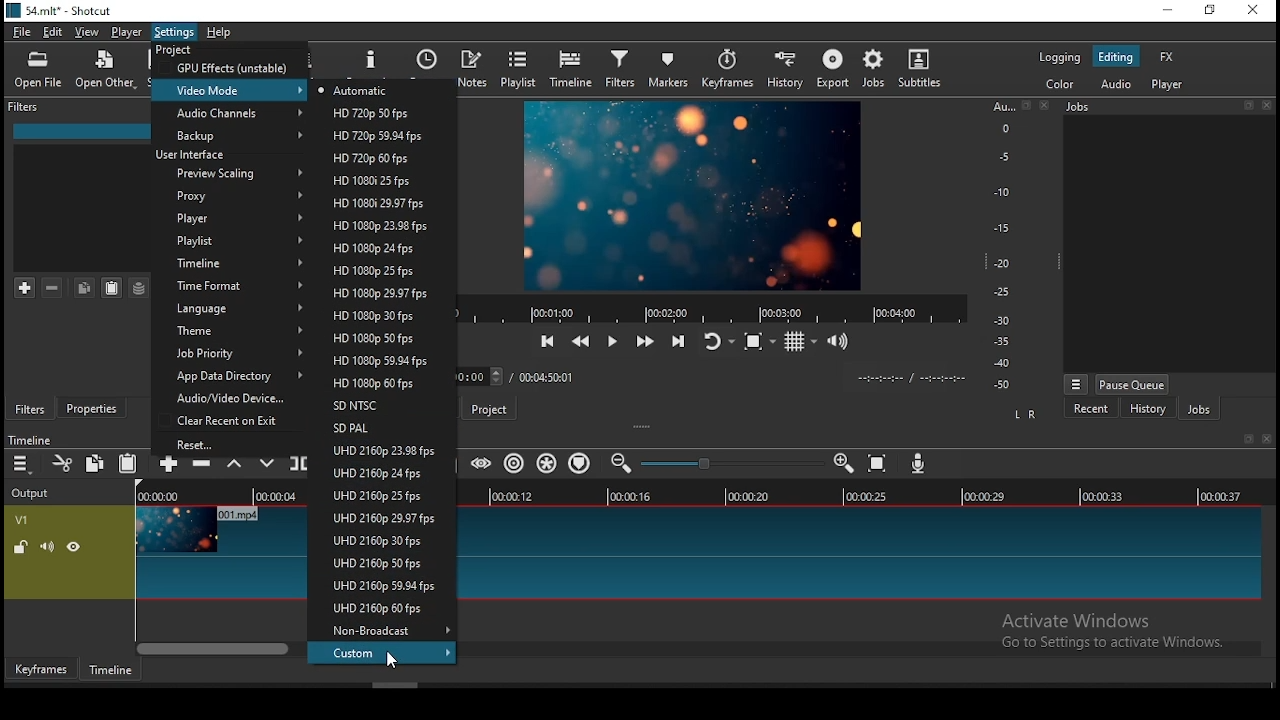 This screenshot has height=720, width=1280. Describe the element at coordinates (383, 453) in the screenshot. I see `resolution option` at that location.